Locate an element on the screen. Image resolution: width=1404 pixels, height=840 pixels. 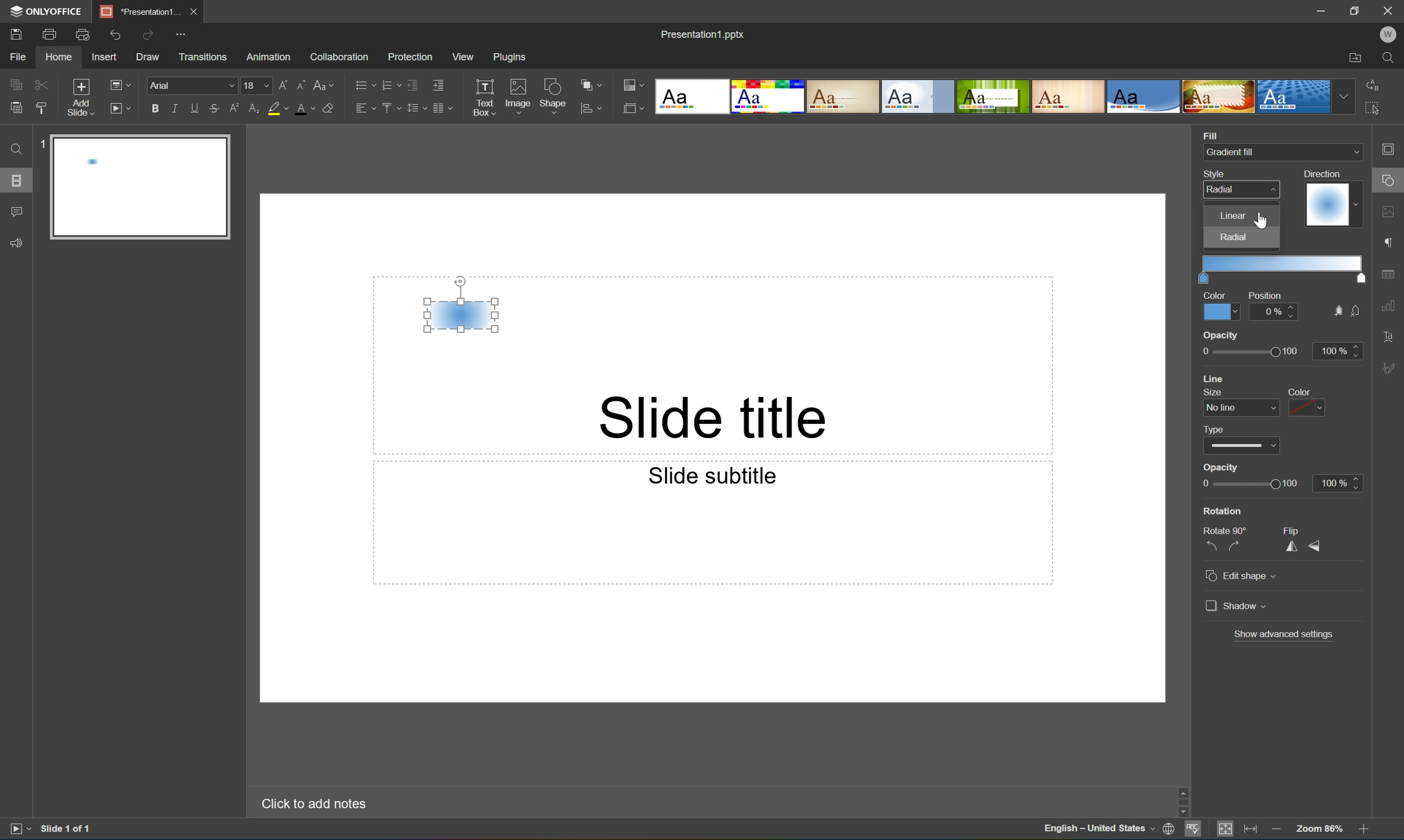
Edit shape is located at coordinates (1243, 577).